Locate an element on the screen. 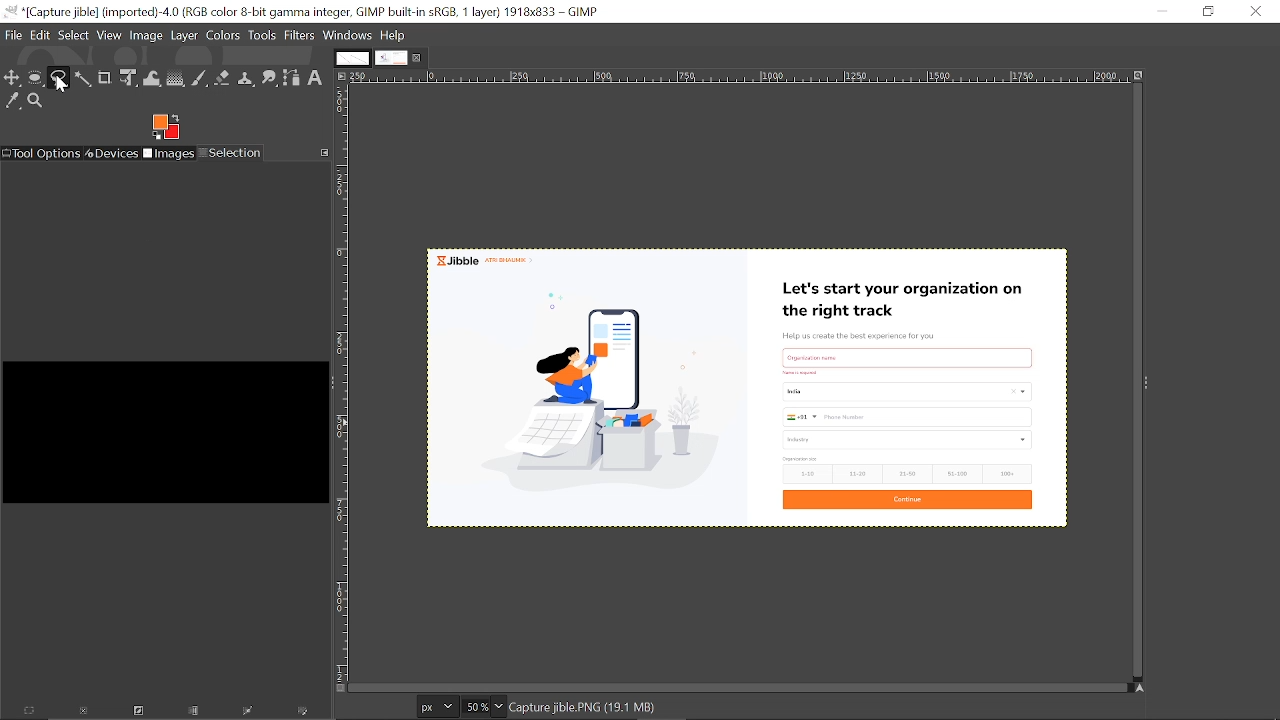  help is located at coordinates (394, 35).